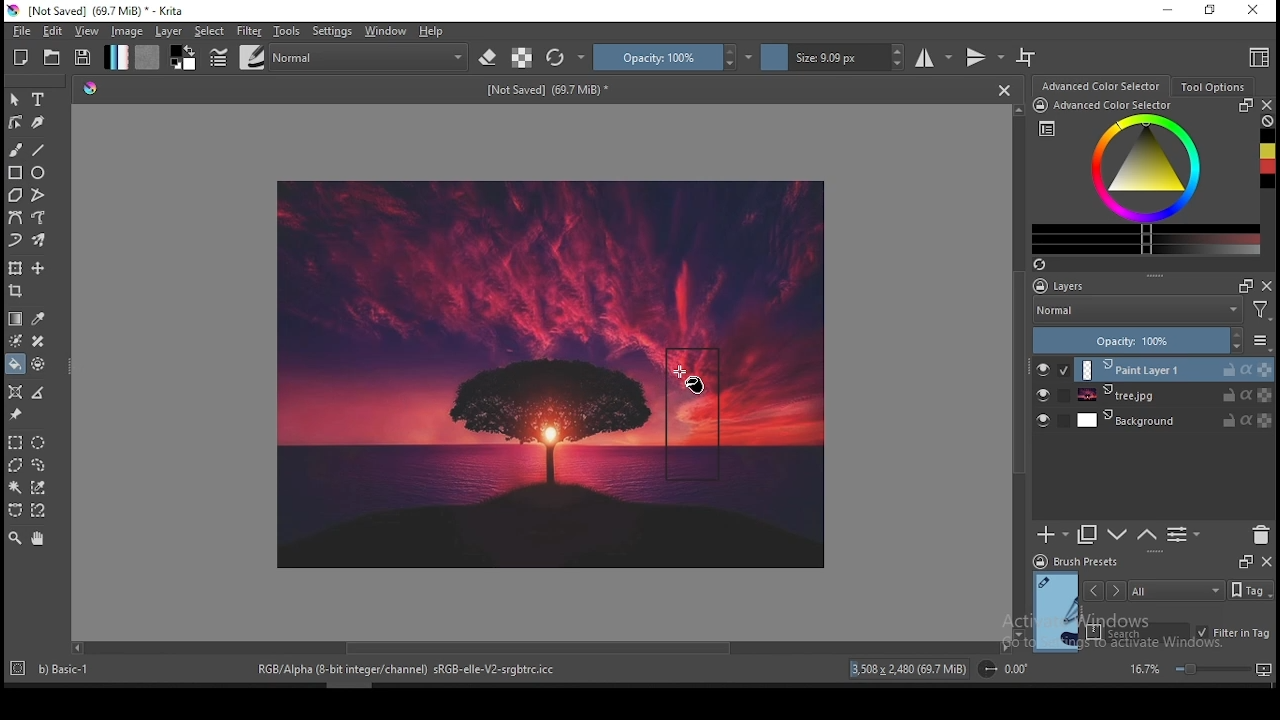 This screenshot has width=1280, height=720. I want to click on Scroll Bar, so click(1017, 372).